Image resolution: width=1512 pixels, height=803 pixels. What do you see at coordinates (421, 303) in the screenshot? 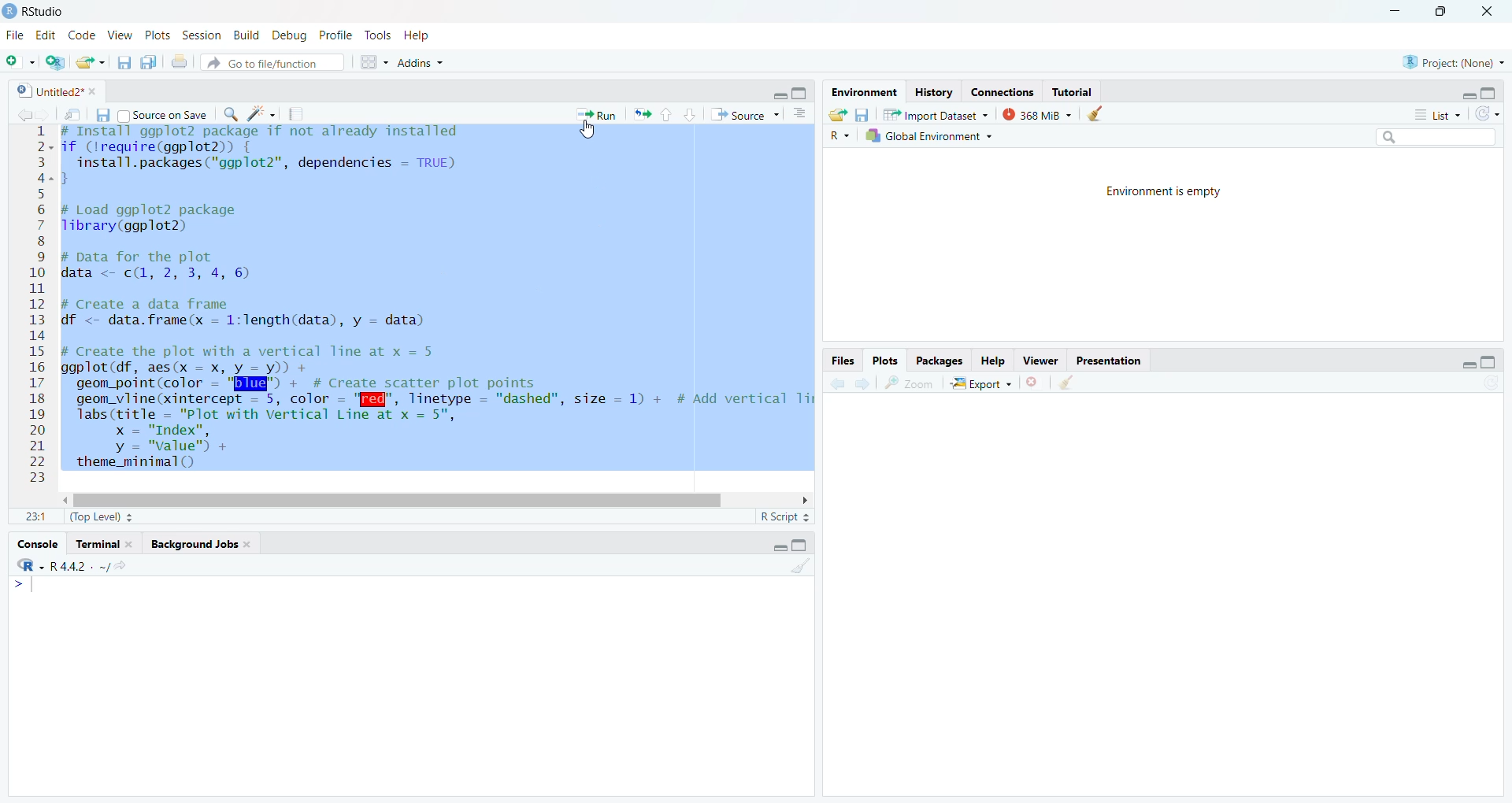
I see `2- if (Irequire(ggplot2)) {

3 install.packages("ggplot2”, dependencies = TRUE)

2-3

5

6 # Load ggplot2 package

7 Tlibrary(ggplot2)

8

9 # pata for the plot

0 data <- c(, 2, 3, 4, 6) I

1

2 # Create a data frame

3 df <- data.frame(x = 1:length(data), y = data)

4

5 # Create the plot with a vertical Tine at x = 5

6 ggplot(df, aes(x = x, y = y)) +

7 geom_point(color = "Bld" + # Create scatter plot points
8  geom_vline(xintercept = 5, color - '[f@", linetype = "dashed", size = 1) + # Add vertical Ti
9  labs(title = "Plot with Vertical Line at x = 5",

0 x = "Index",

1 y = "value") +` at bounding box center [421, 303].